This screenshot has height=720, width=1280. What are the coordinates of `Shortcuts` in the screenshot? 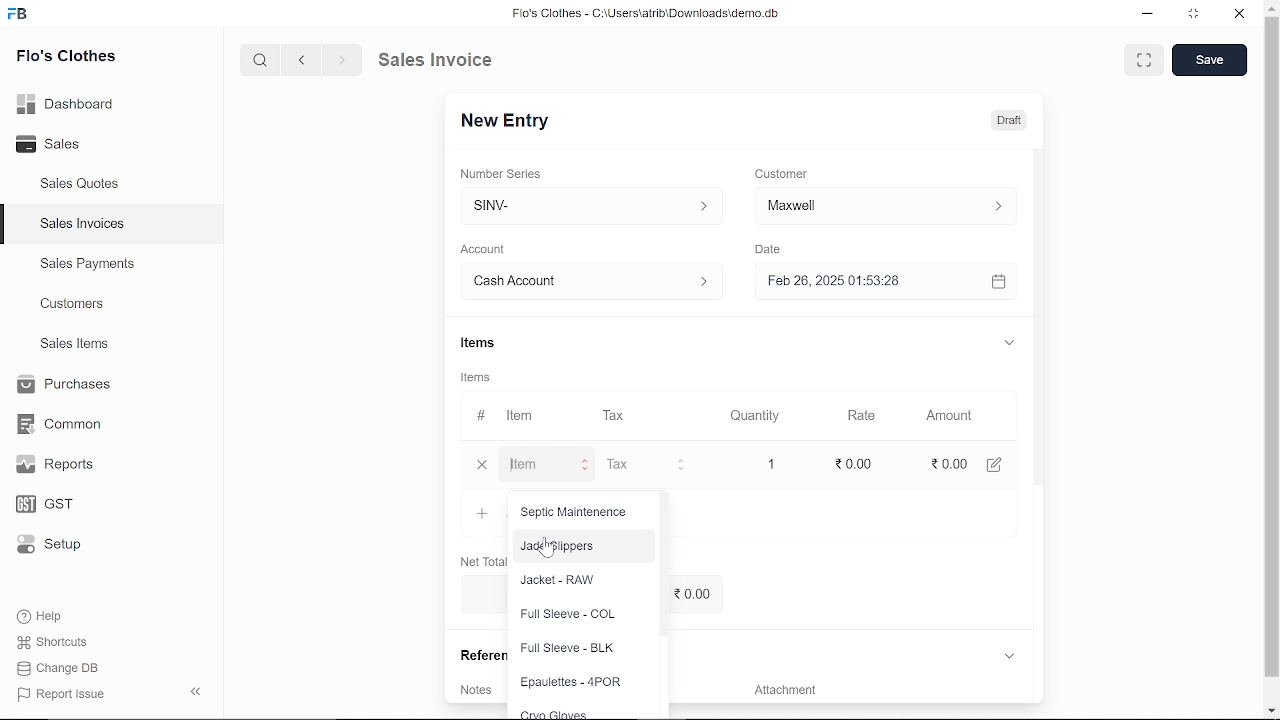 It's located at (63, 643).